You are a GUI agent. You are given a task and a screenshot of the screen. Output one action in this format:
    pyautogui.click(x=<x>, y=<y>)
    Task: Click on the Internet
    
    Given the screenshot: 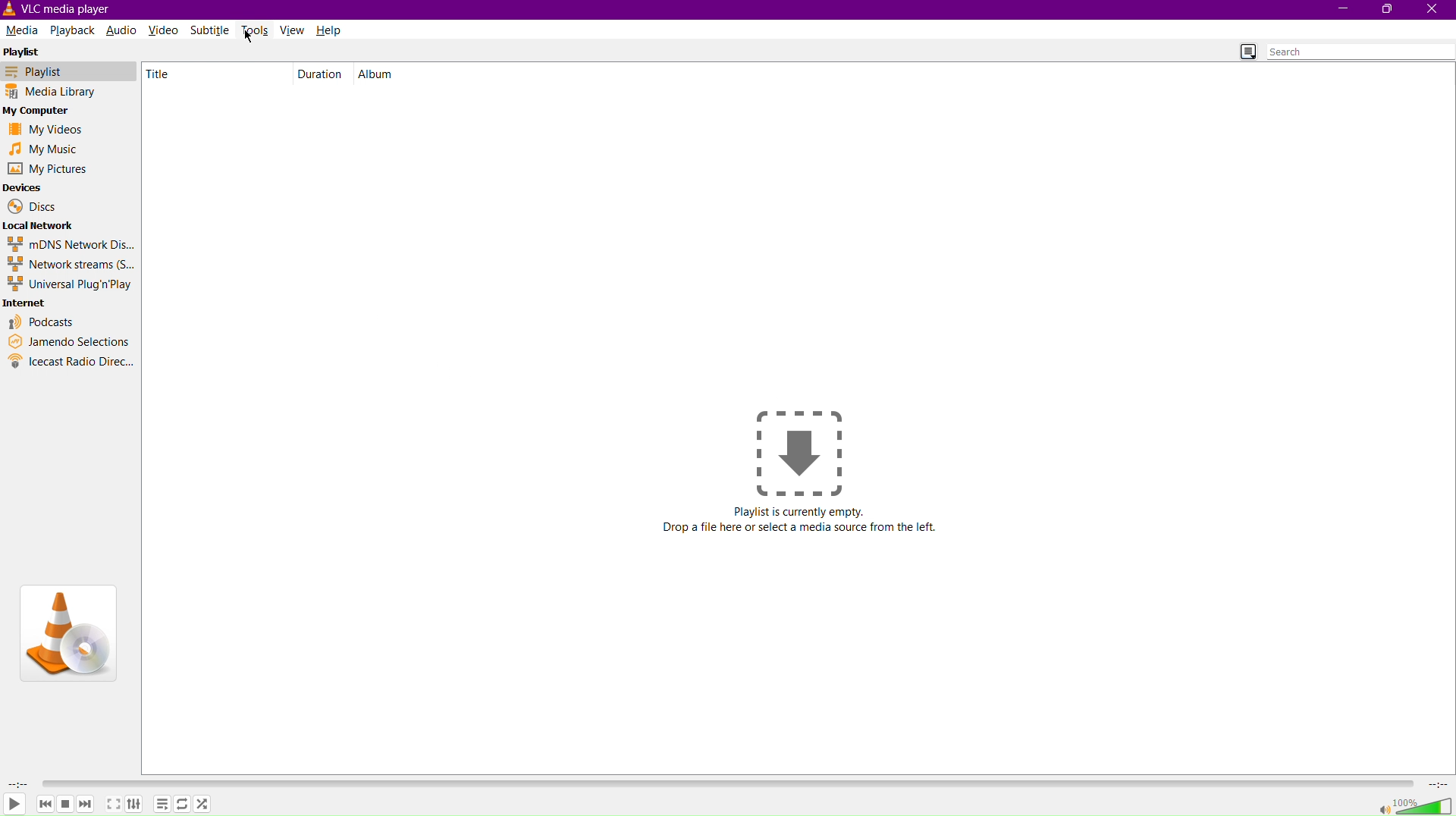 What is the action you would take?
    pyautogui.click(x=32, y=302)
    